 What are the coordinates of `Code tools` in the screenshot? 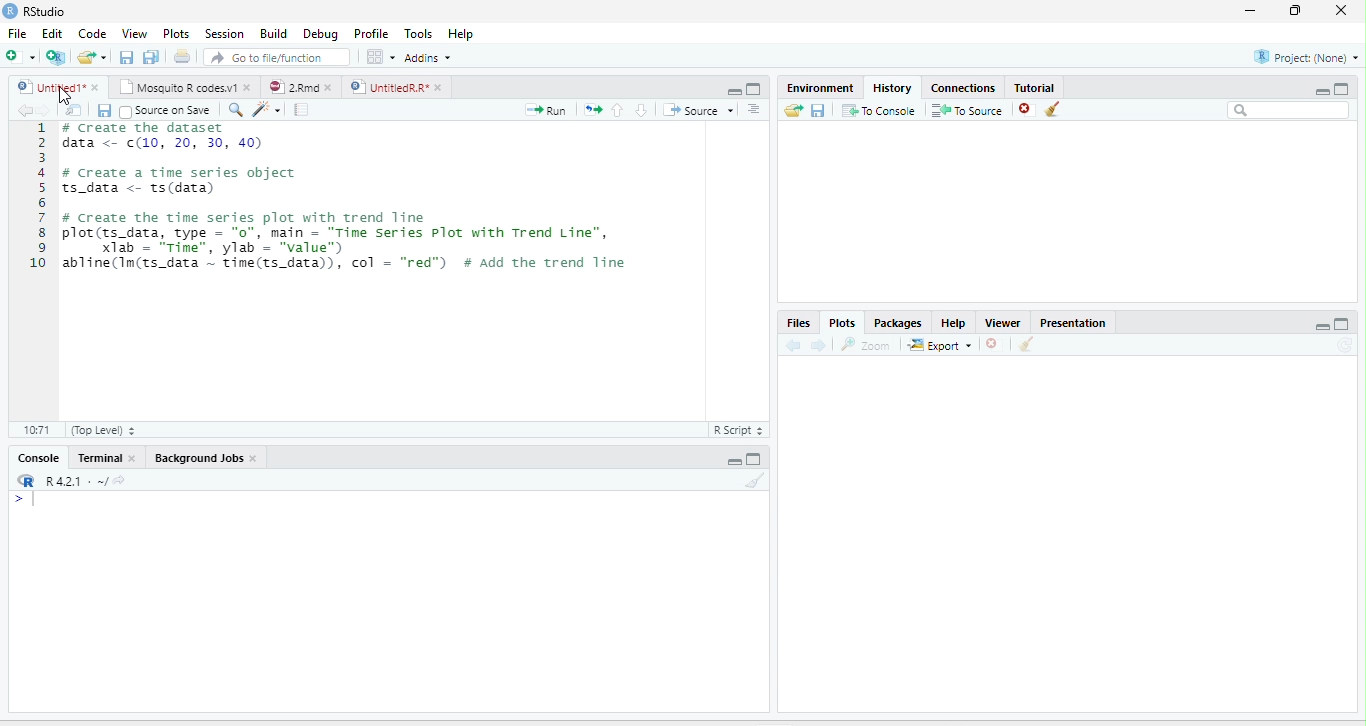 It's located at (266, 109).